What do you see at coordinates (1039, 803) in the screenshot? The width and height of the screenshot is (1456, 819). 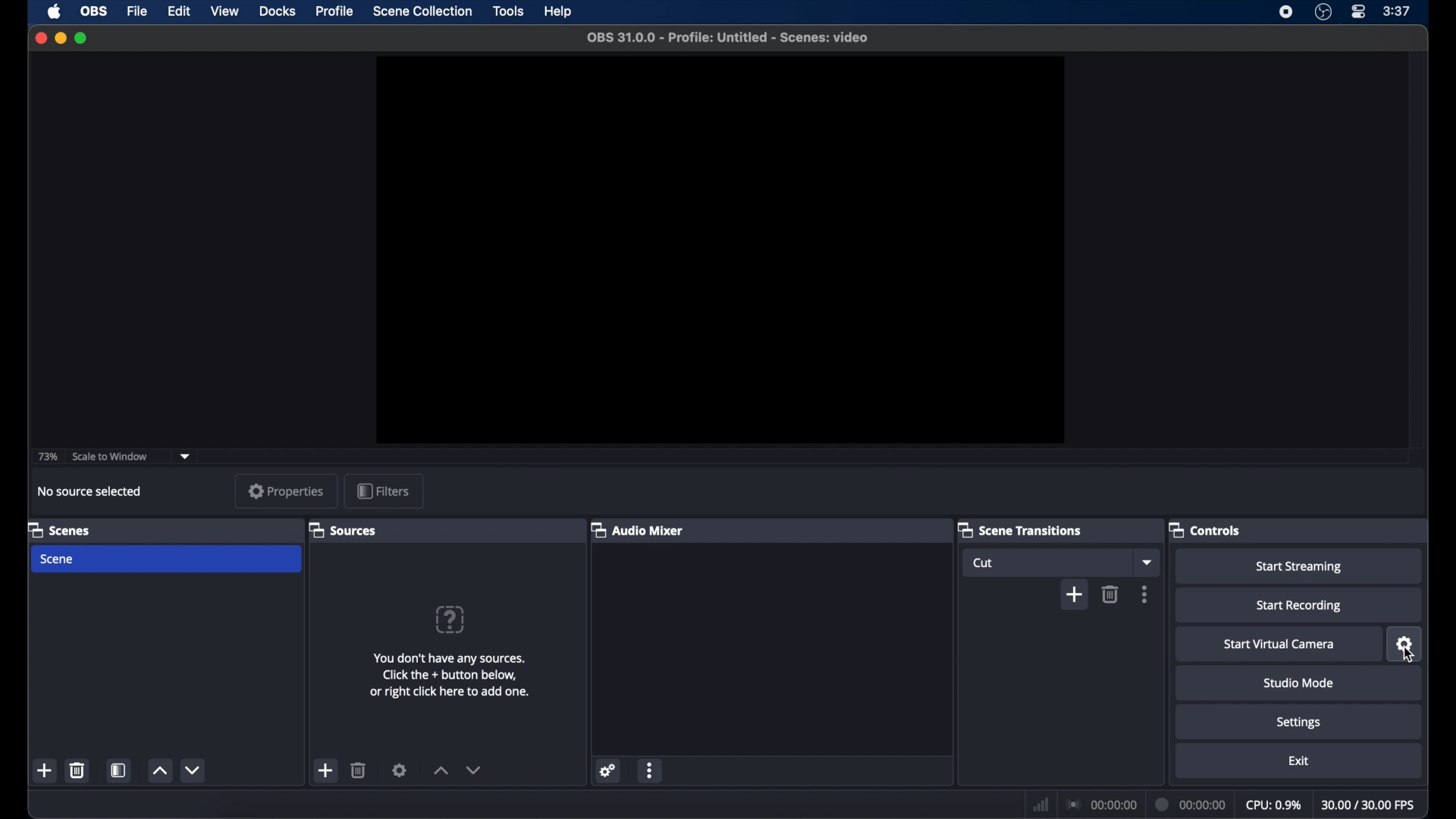 I see `netwrok` at bounding box center [1039, 803].